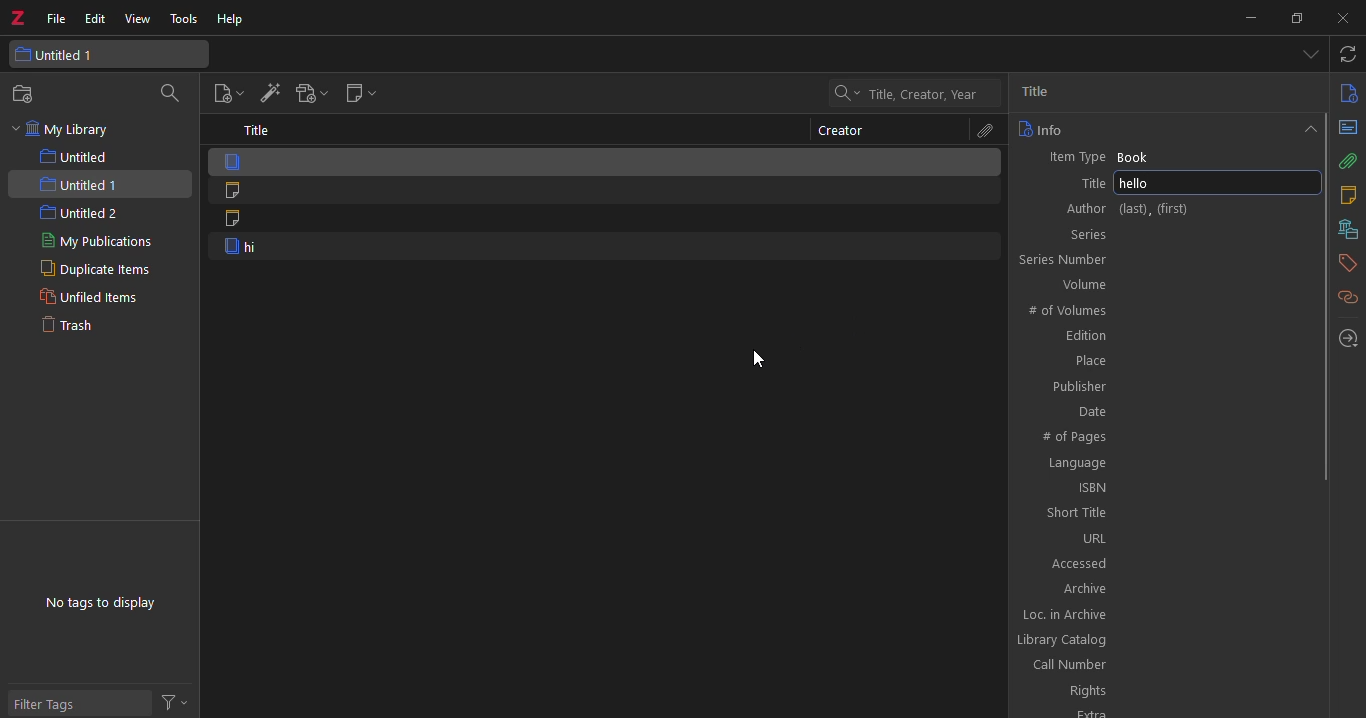 The image size is (1366, 718). I want to click on Edition, so click(1168, 337).